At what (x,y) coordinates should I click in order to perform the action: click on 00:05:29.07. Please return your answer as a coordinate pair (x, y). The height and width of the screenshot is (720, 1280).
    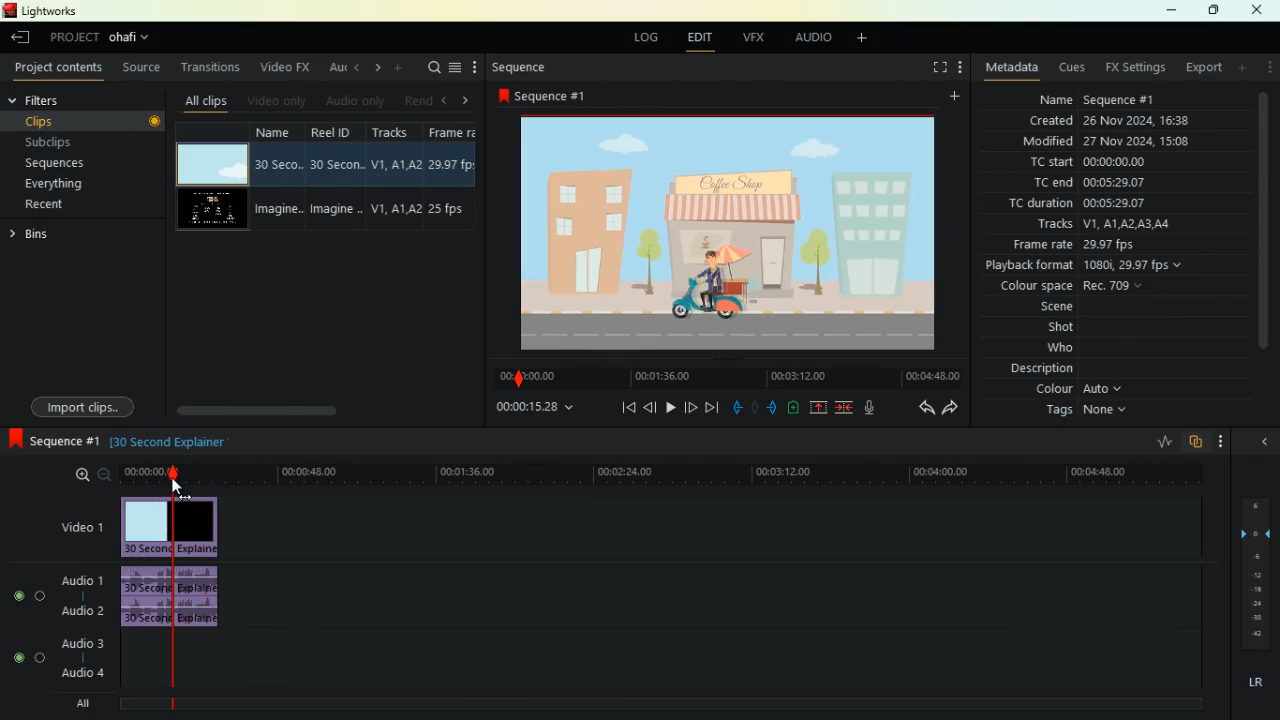
    Looking at the image, I should click on (1121, 203).